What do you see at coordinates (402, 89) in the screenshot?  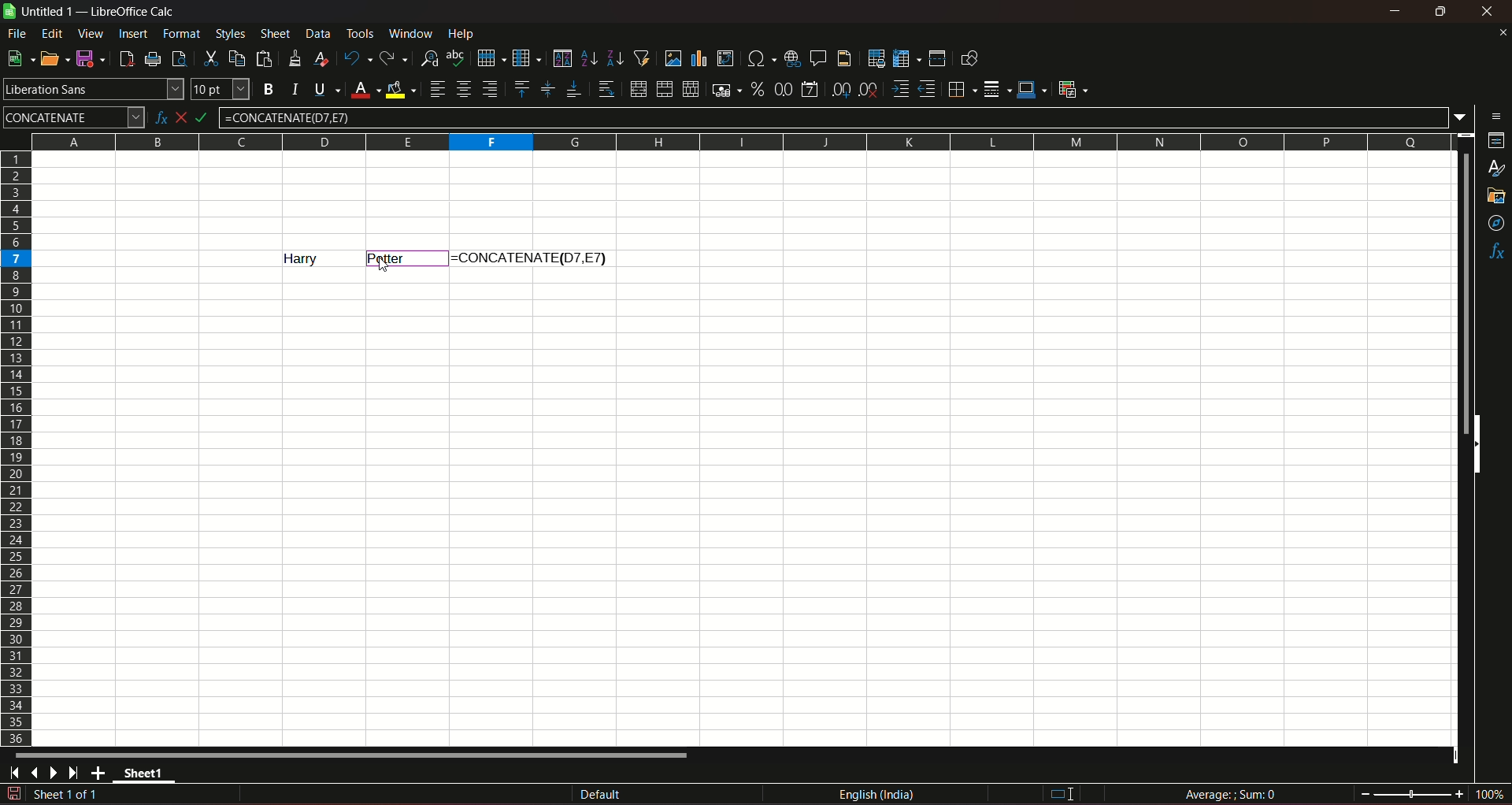 I see `background color` at bounding box center [402, 89].